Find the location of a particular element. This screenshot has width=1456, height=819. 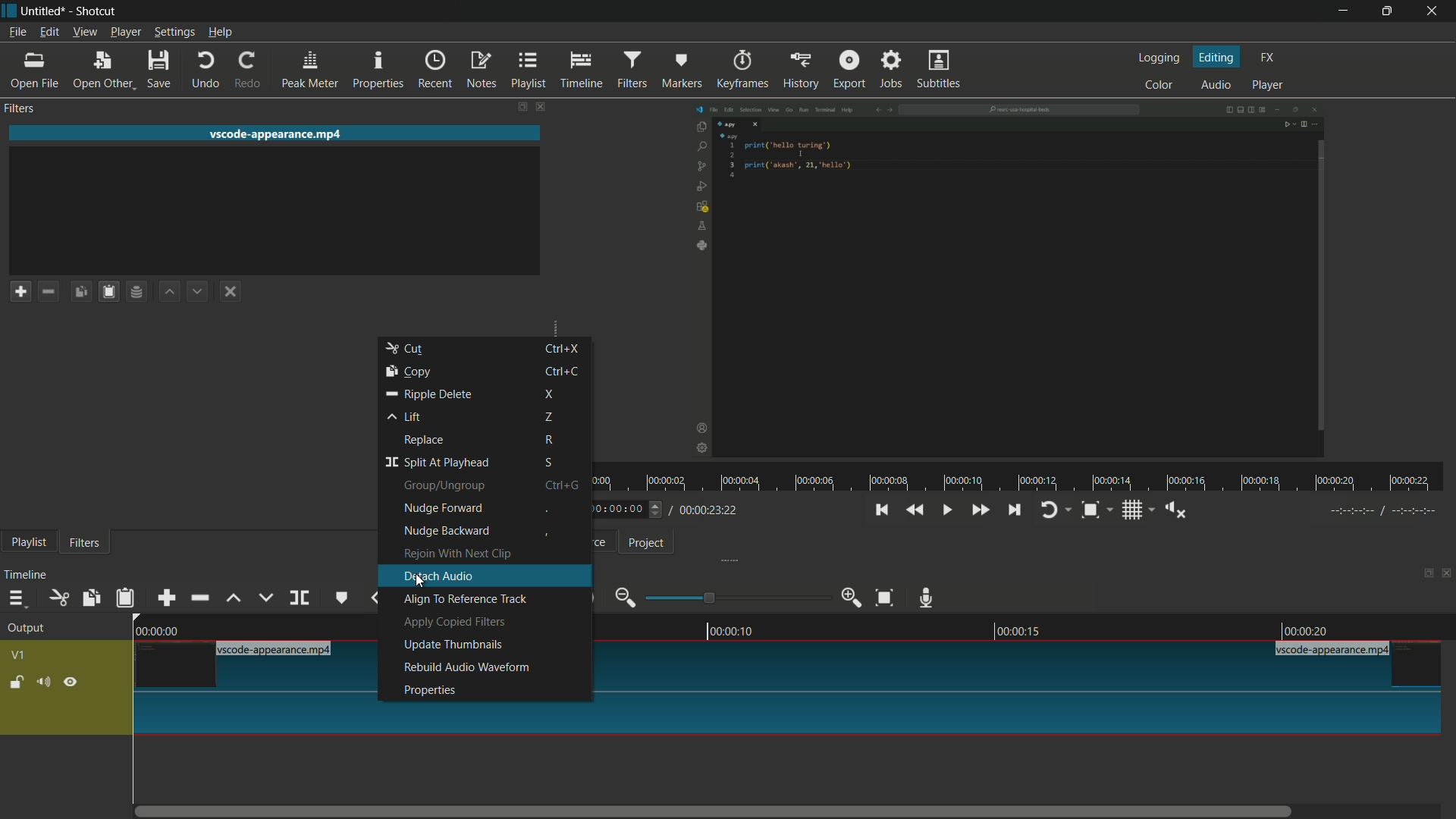

quickly play forward is located at coordinates (982, 511).